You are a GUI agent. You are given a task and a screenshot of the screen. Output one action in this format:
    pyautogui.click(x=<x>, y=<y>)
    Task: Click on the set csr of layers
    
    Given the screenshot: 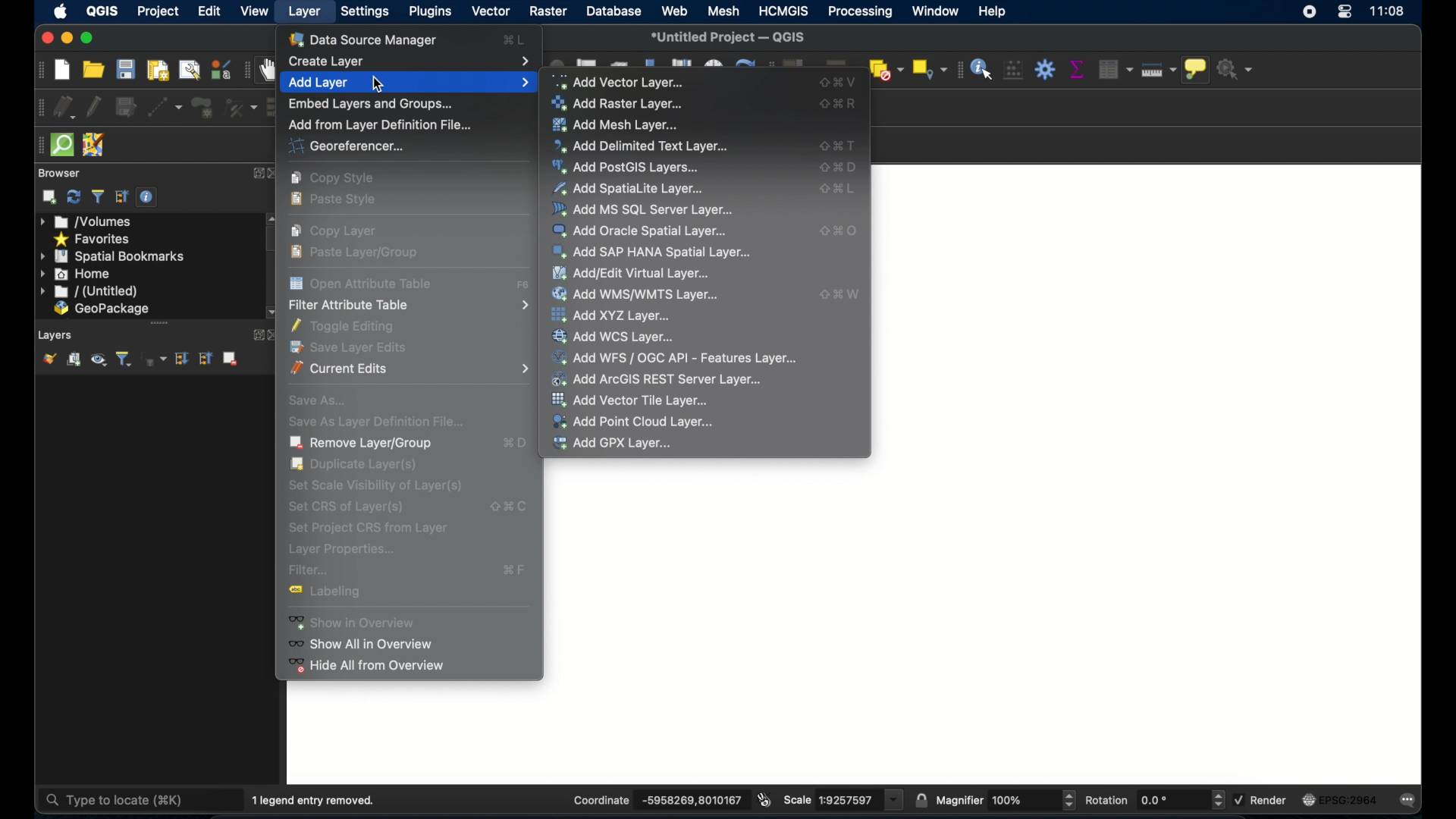 What is the action you would take?
    pyautogui.click(x=507, y=504)
    